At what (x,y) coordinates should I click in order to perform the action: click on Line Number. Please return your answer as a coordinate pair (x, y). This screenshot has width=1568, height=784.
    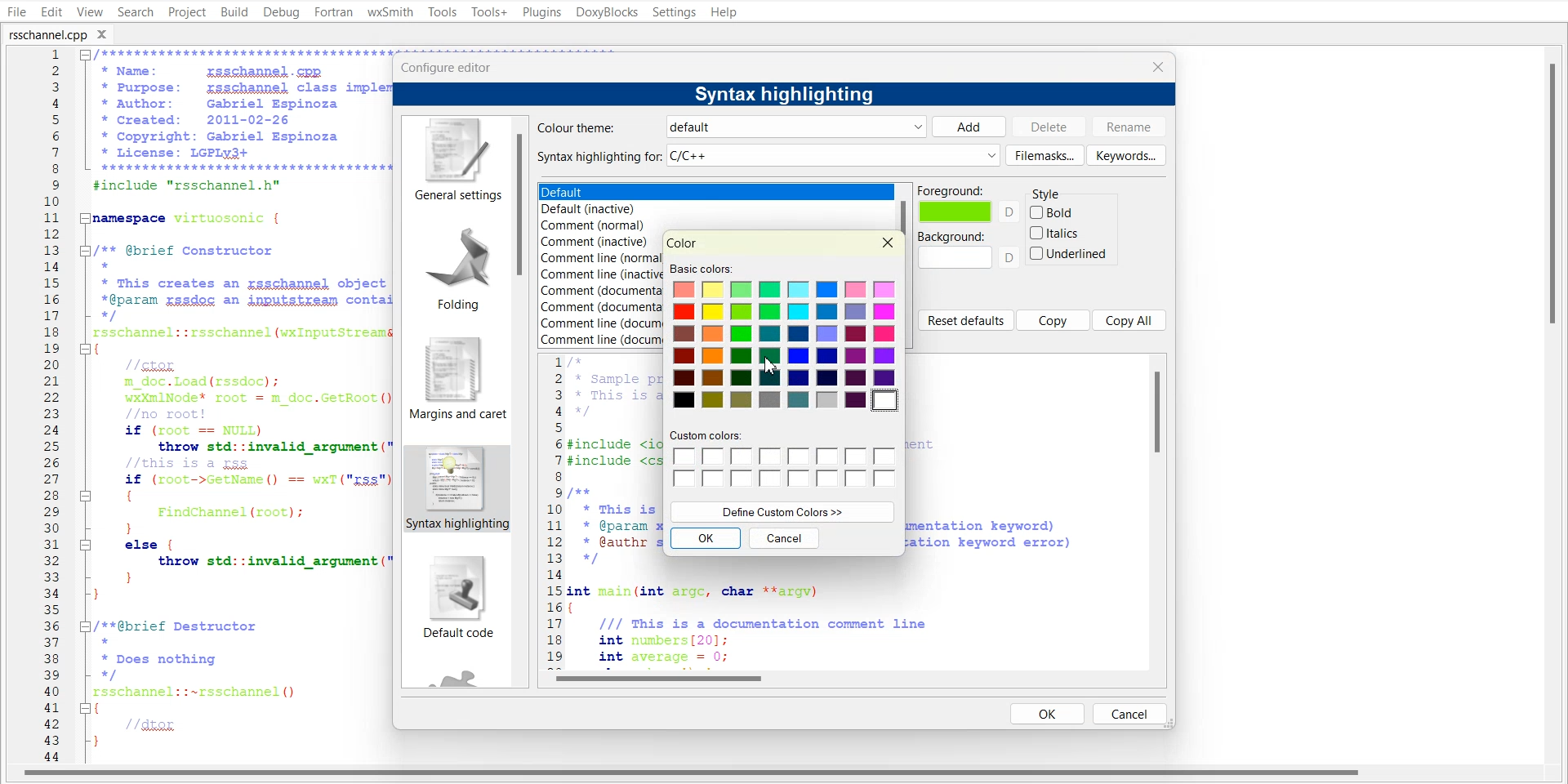
    Looking at the image, I should click on (39, 406).